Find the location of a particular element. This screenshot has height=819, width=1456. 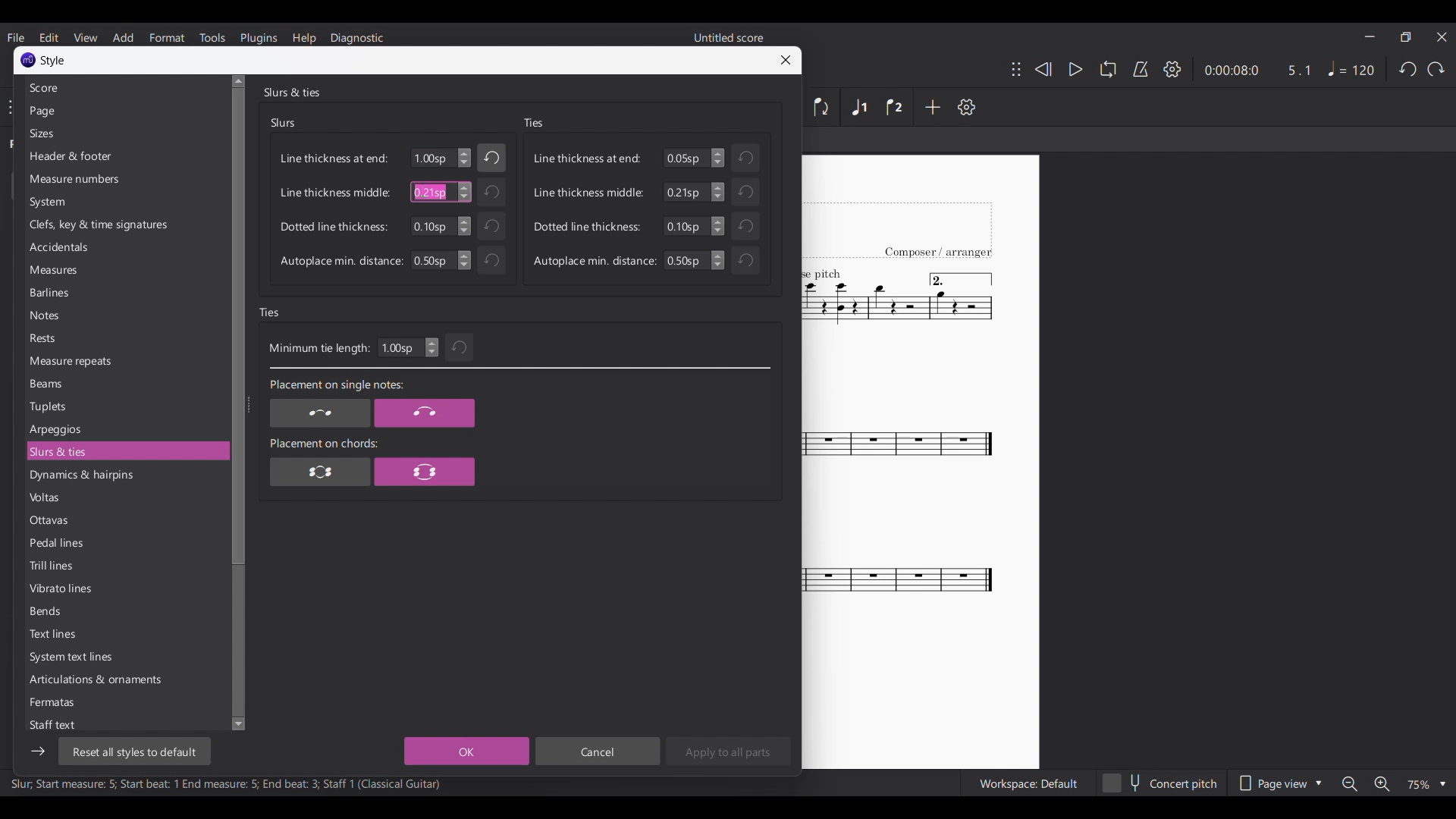

Clefs, key & time signatures is located at coordinates (125, 225).